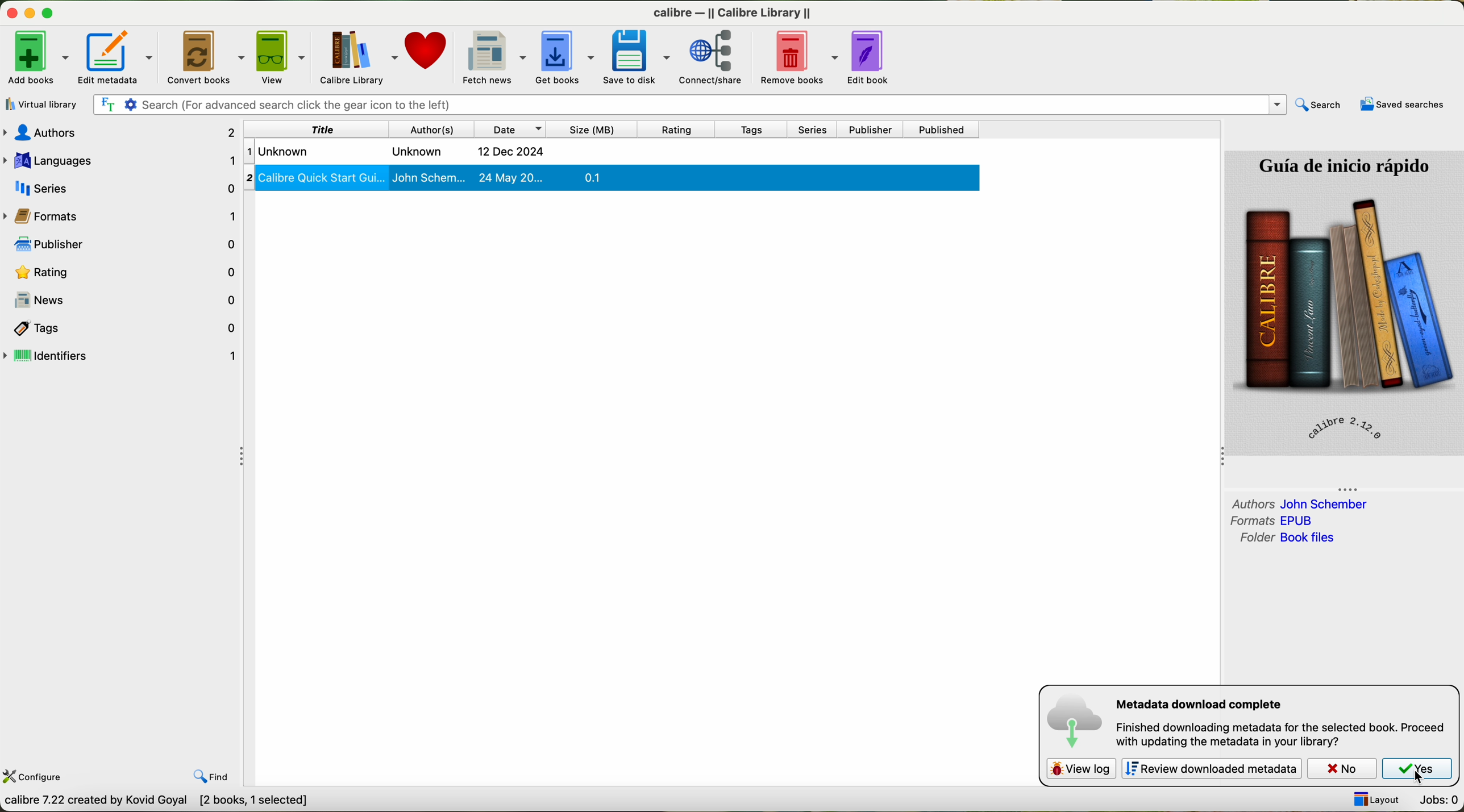 The height and width of the screenshot is (812, 1464). Describe the element at coordinates (693, 104) in the screenshot. I see `searrch bar` at that location.